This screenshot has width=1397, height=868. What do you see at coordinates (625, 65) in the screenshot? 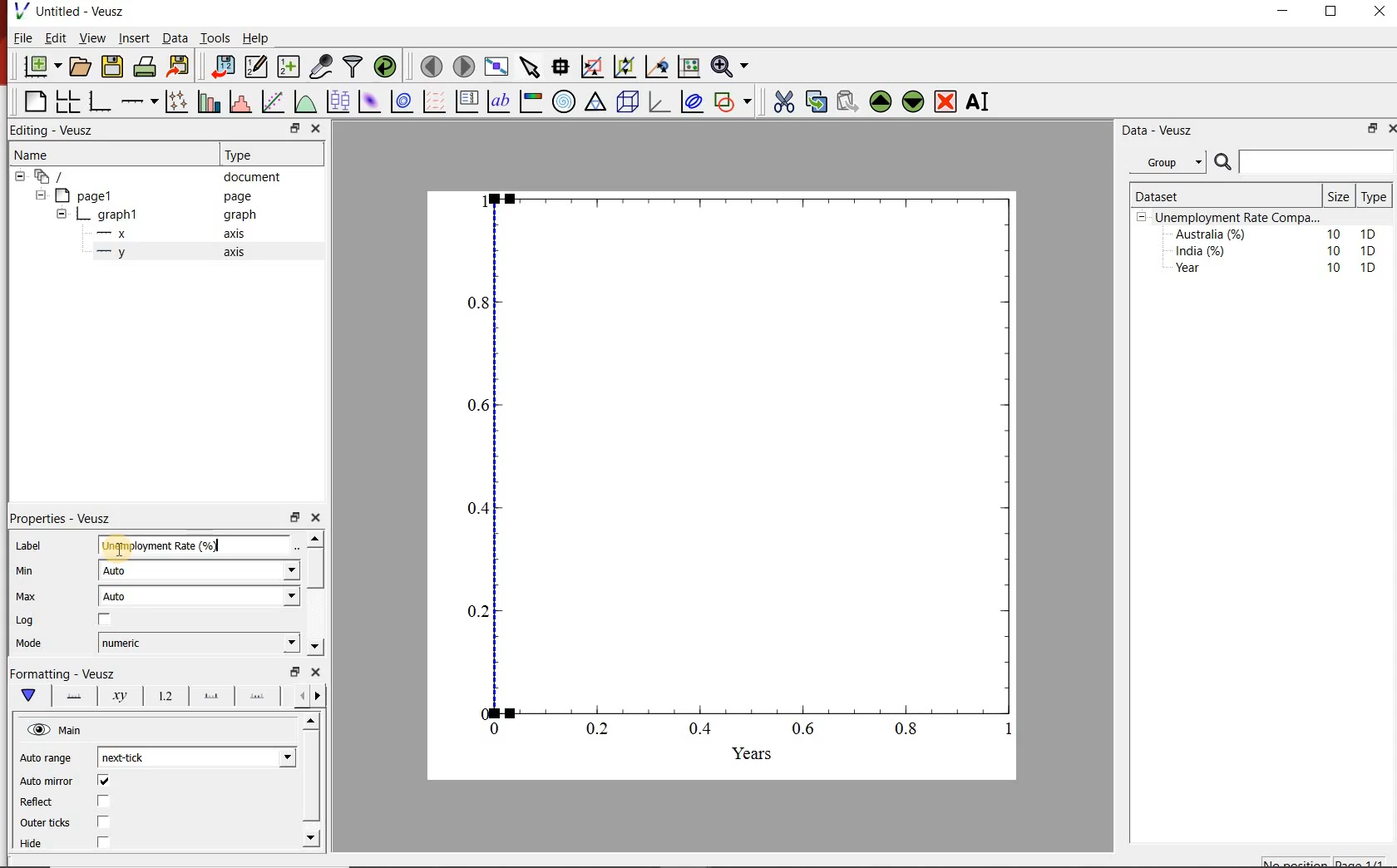
I see `click to zoom out graph axes` at bounding box center [625, 65].